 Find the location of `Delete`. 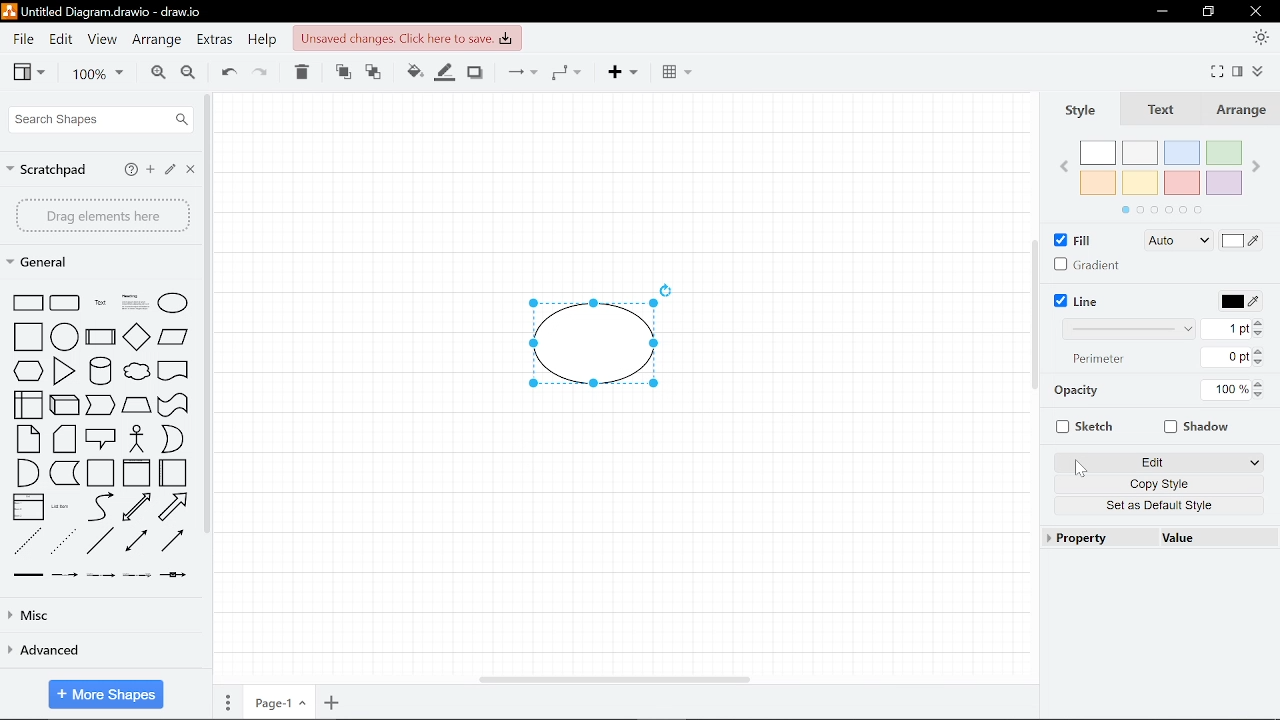

Delete is located at coordinates (301, 74).